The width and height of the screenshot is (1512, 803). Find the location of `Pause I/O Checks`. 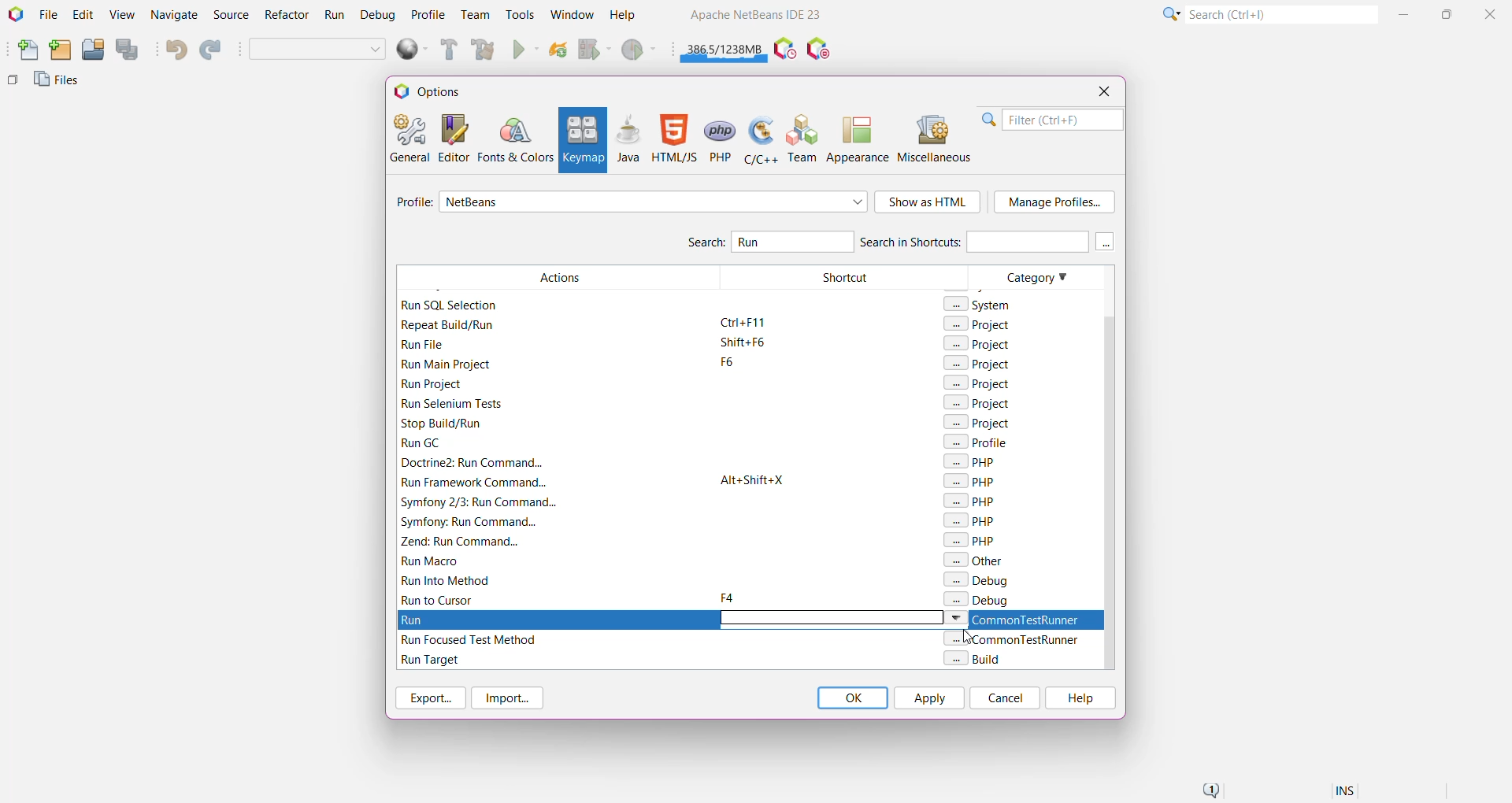

Pause I/O Checks is located at coordinates (820, 50).